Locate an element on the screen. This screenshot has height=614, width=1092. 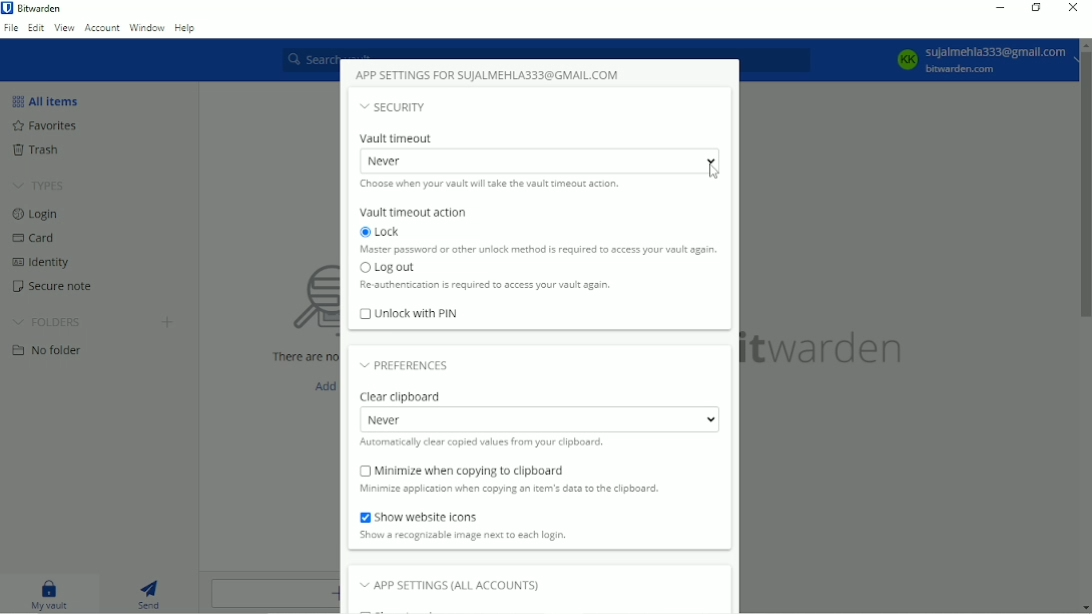
My vault is located at coordinates (44, 593).